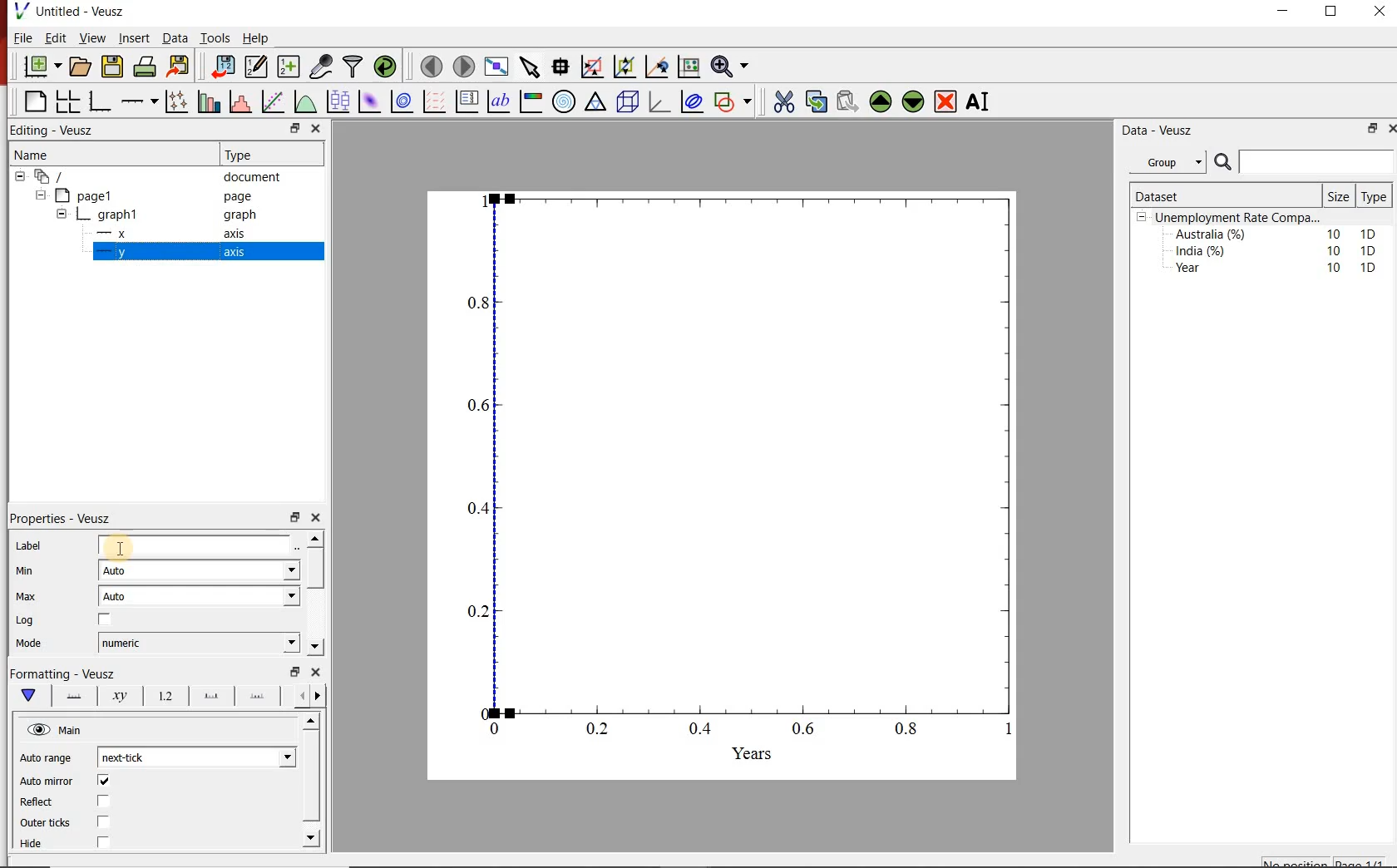  I want to click on Reflect, so click(37, 803).